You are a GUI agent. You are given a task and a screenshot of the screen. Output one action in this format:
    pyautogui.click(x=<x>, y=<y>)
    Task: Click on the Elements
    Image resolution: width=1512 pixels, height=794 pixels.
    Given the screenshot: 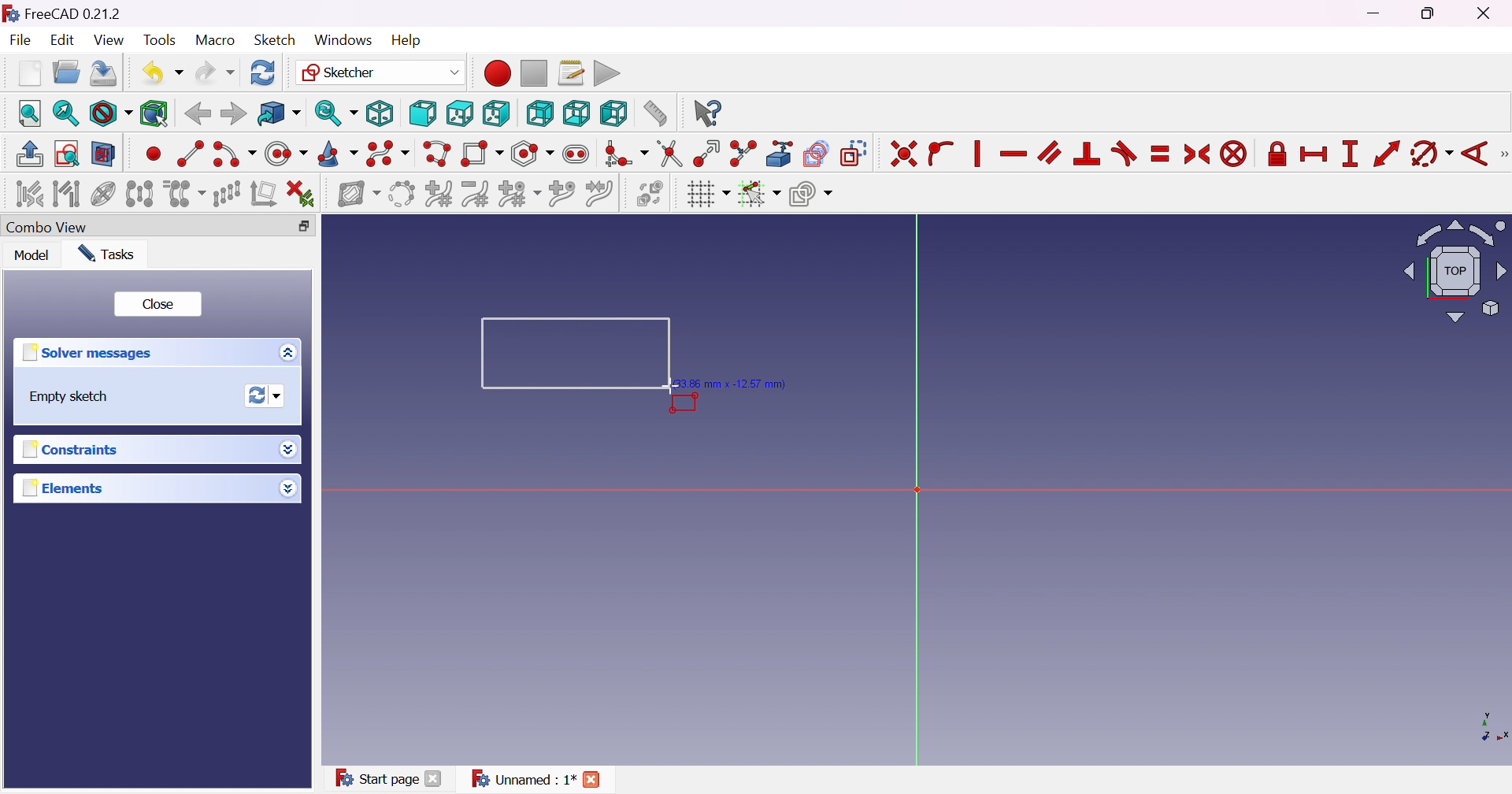 What is the action you would take?
    pyautogui.click(x=64, y=488)
    